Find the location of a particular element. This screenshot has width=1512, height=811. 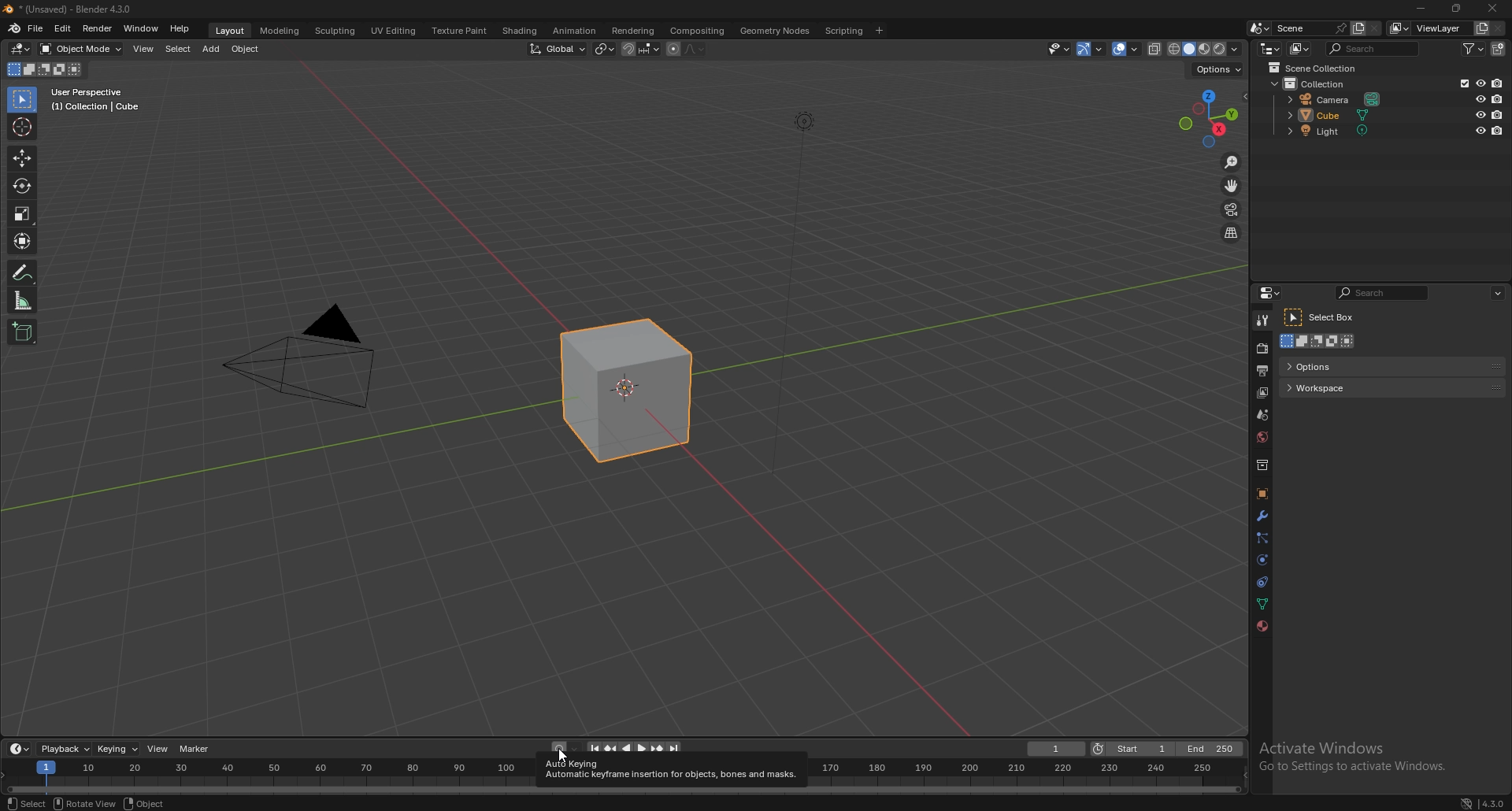

editor type is located at coordinates (20, 748).